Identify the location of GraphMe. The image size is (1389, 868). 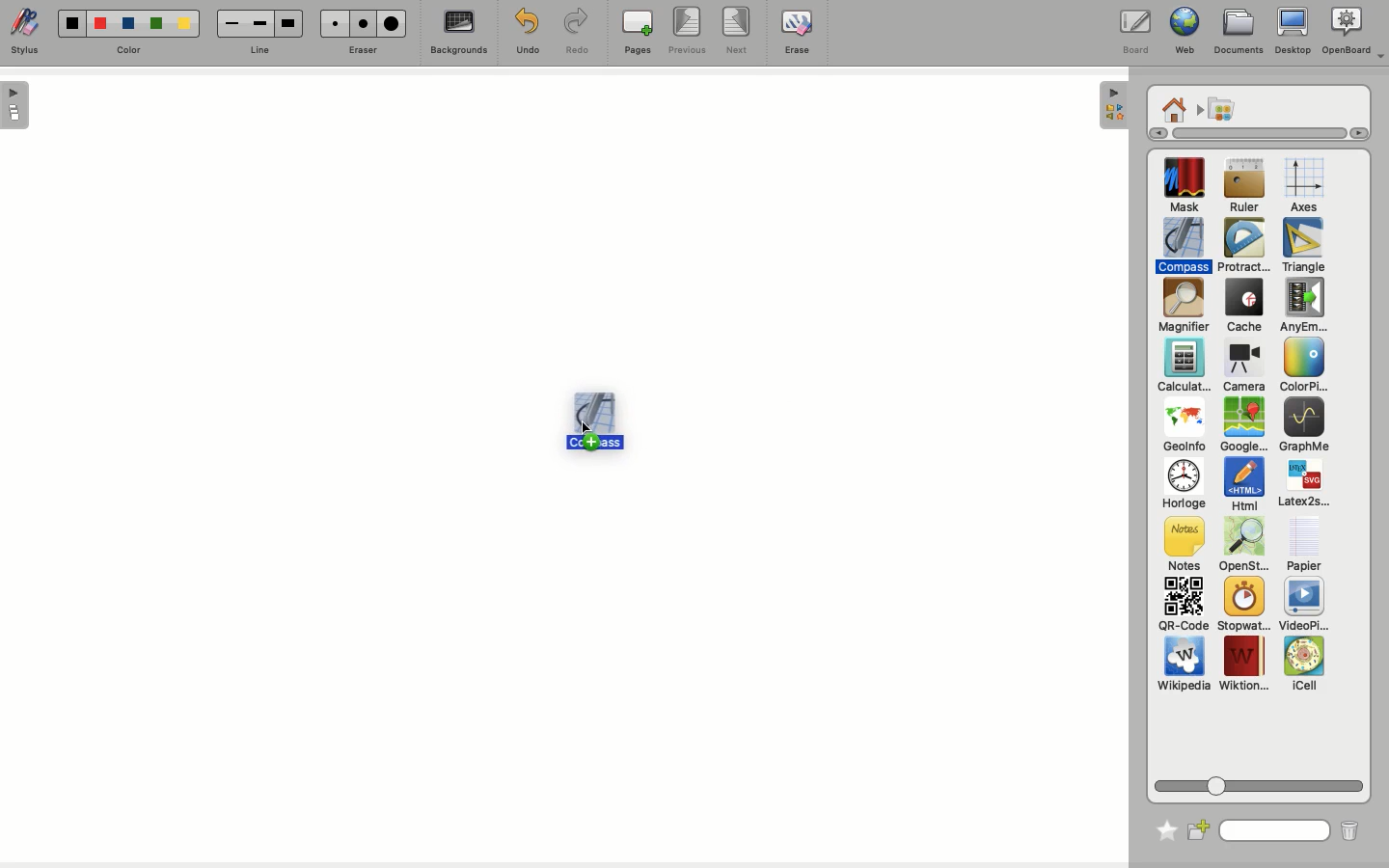
(1303, 426).